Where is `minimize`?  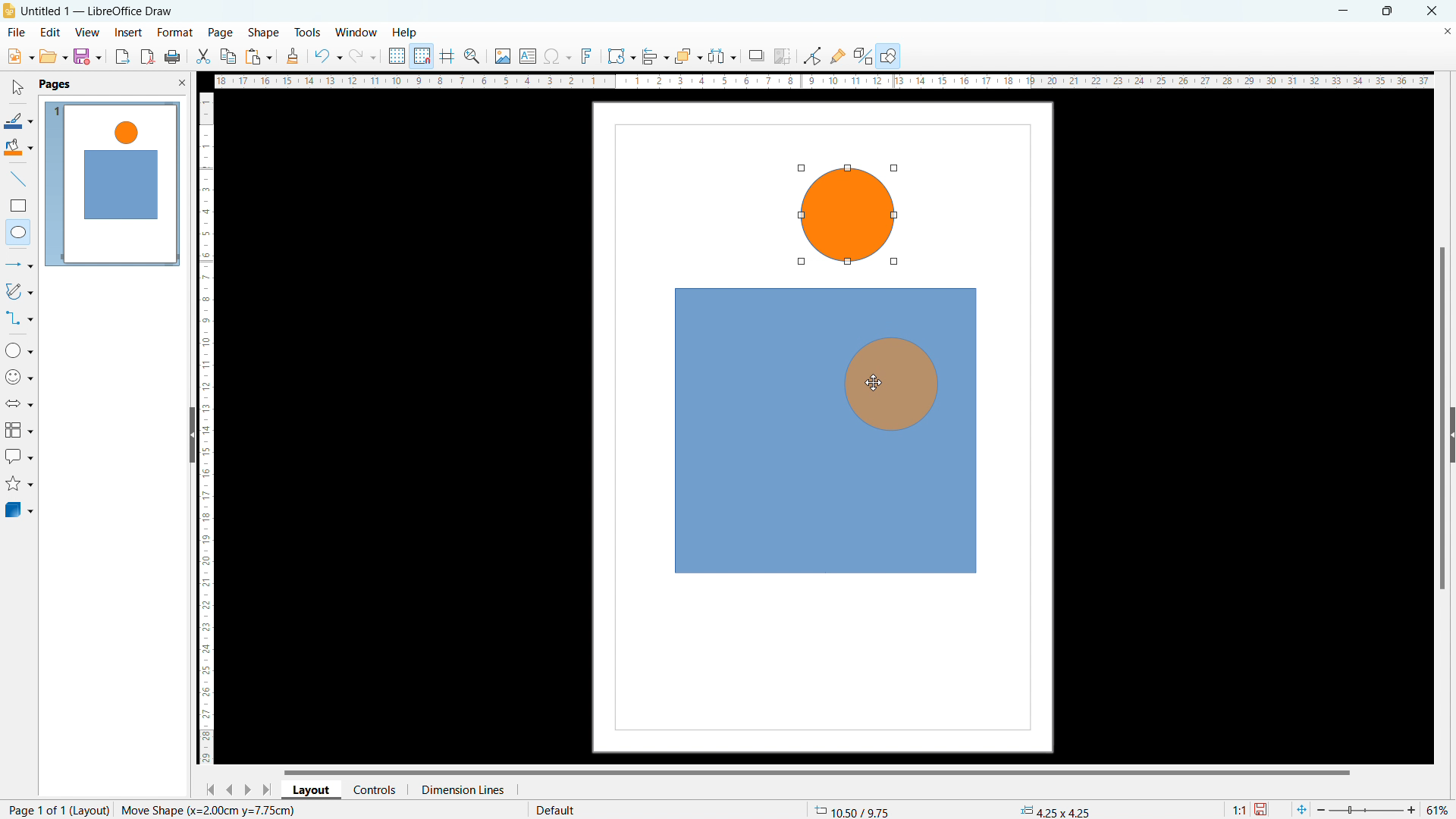 minimize is located at coordinates (1341, 10).